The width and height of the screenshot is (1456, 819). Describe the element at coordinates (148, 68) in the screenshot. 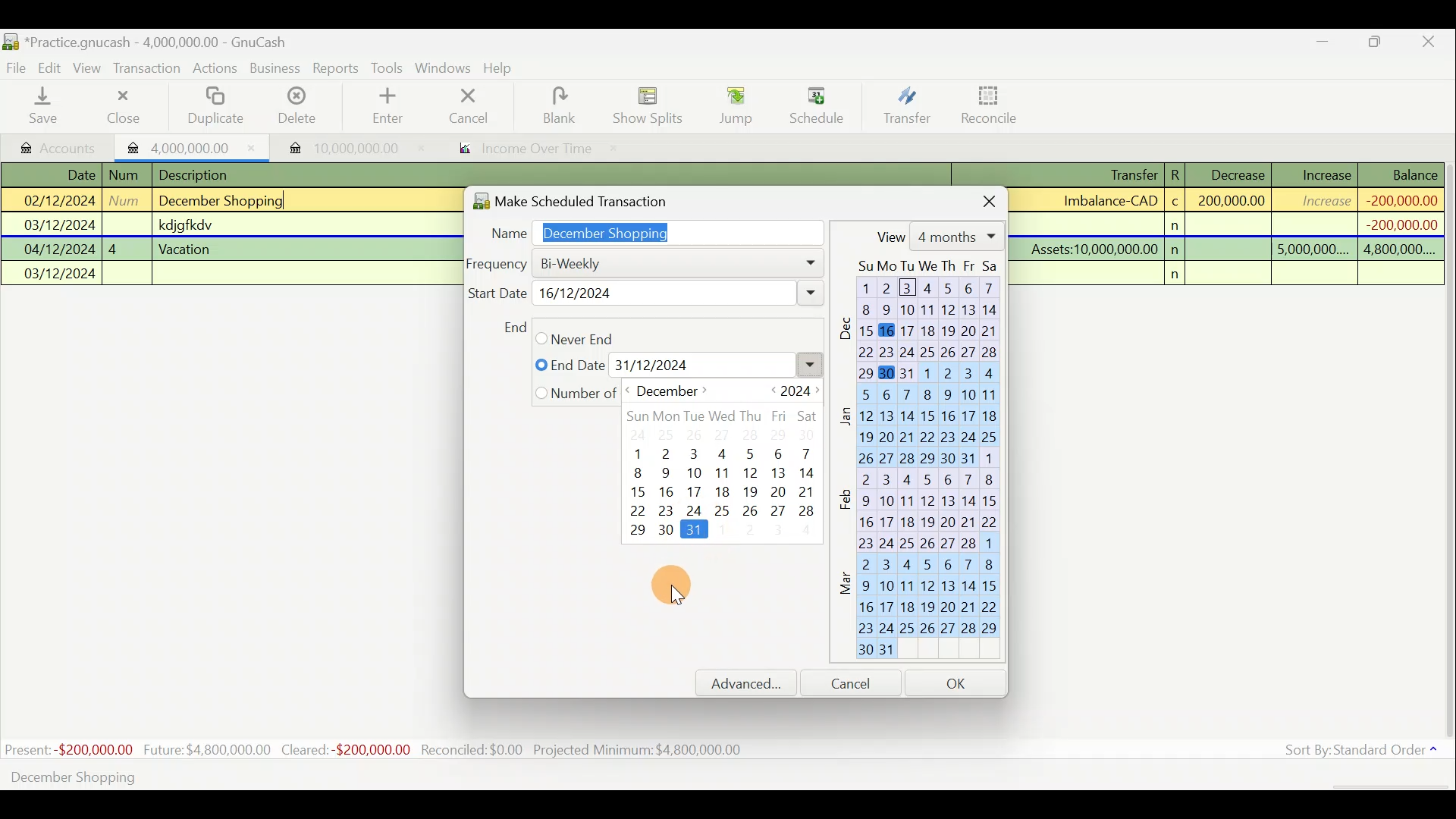

I see `Transaction` at that location.